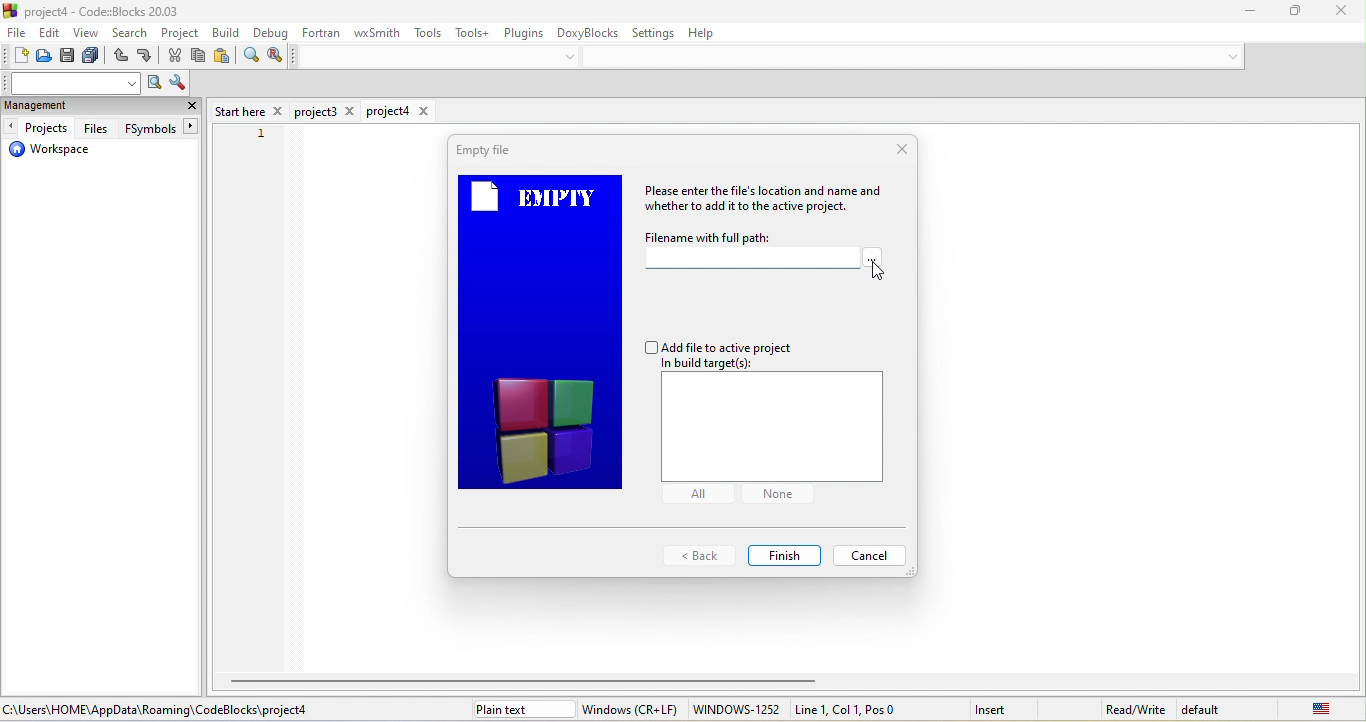 This screenshot has width=1366, height=722. What do you see at coordinates (768, 200) in the screenshot?
I see `please enter the files location and name and whether to  add it to the active project` at bounding box center [768, 200].